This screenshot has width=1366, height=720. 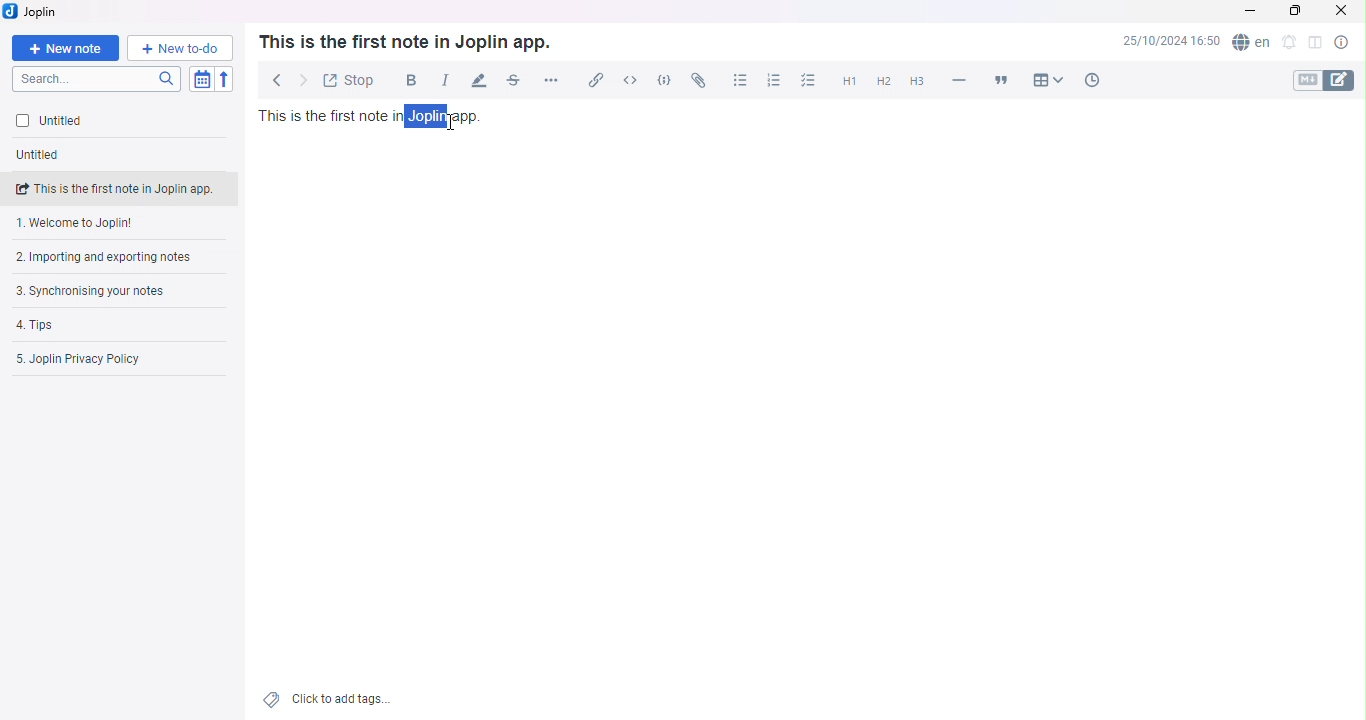 What do you see at coordinates (46, 156) in the screenshot?
I see `Untitled` at bounding box center [46, 156].